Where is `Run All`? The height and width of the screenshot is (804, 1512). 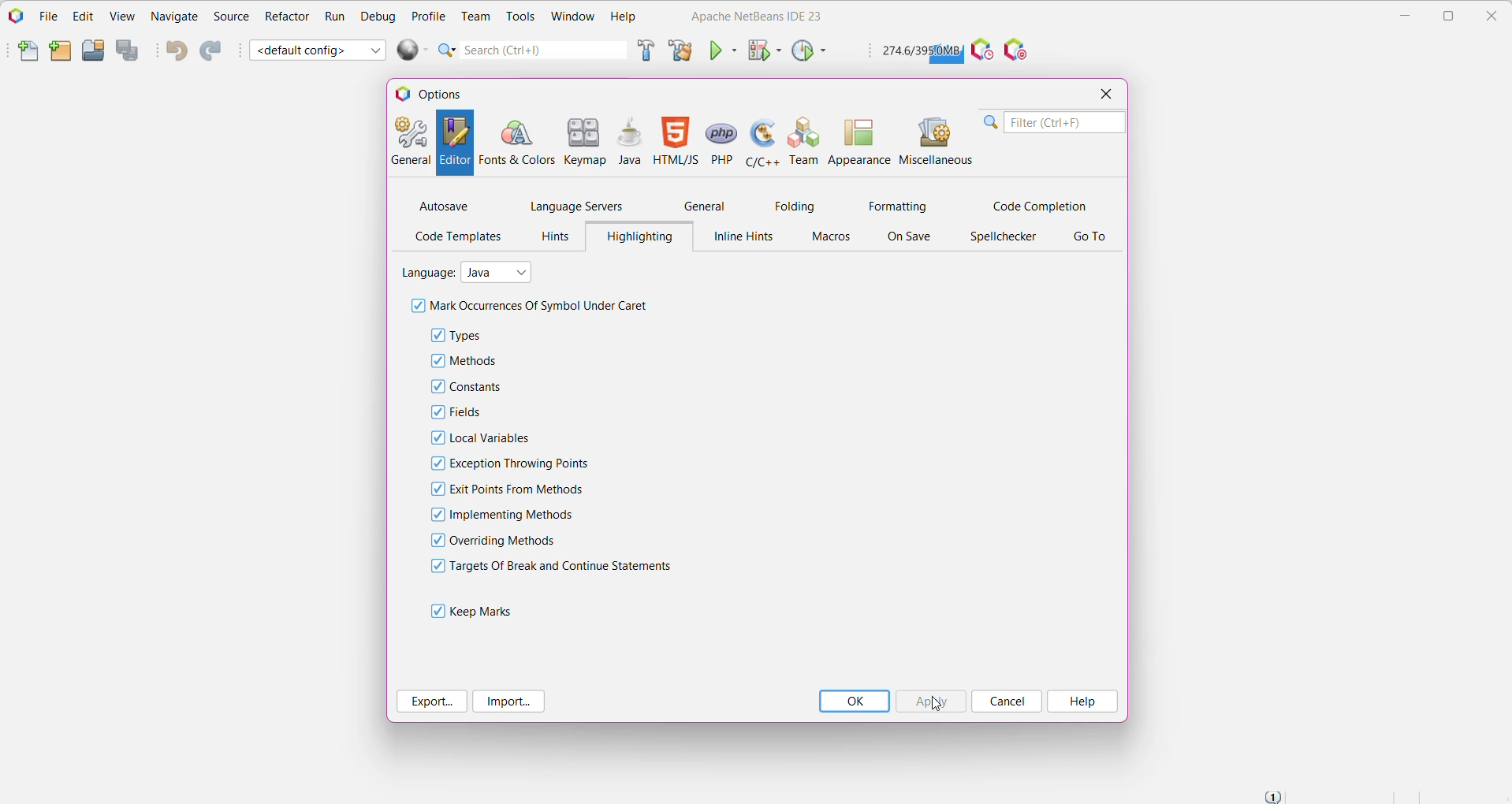
Run All is located at coordinates (413, 50).